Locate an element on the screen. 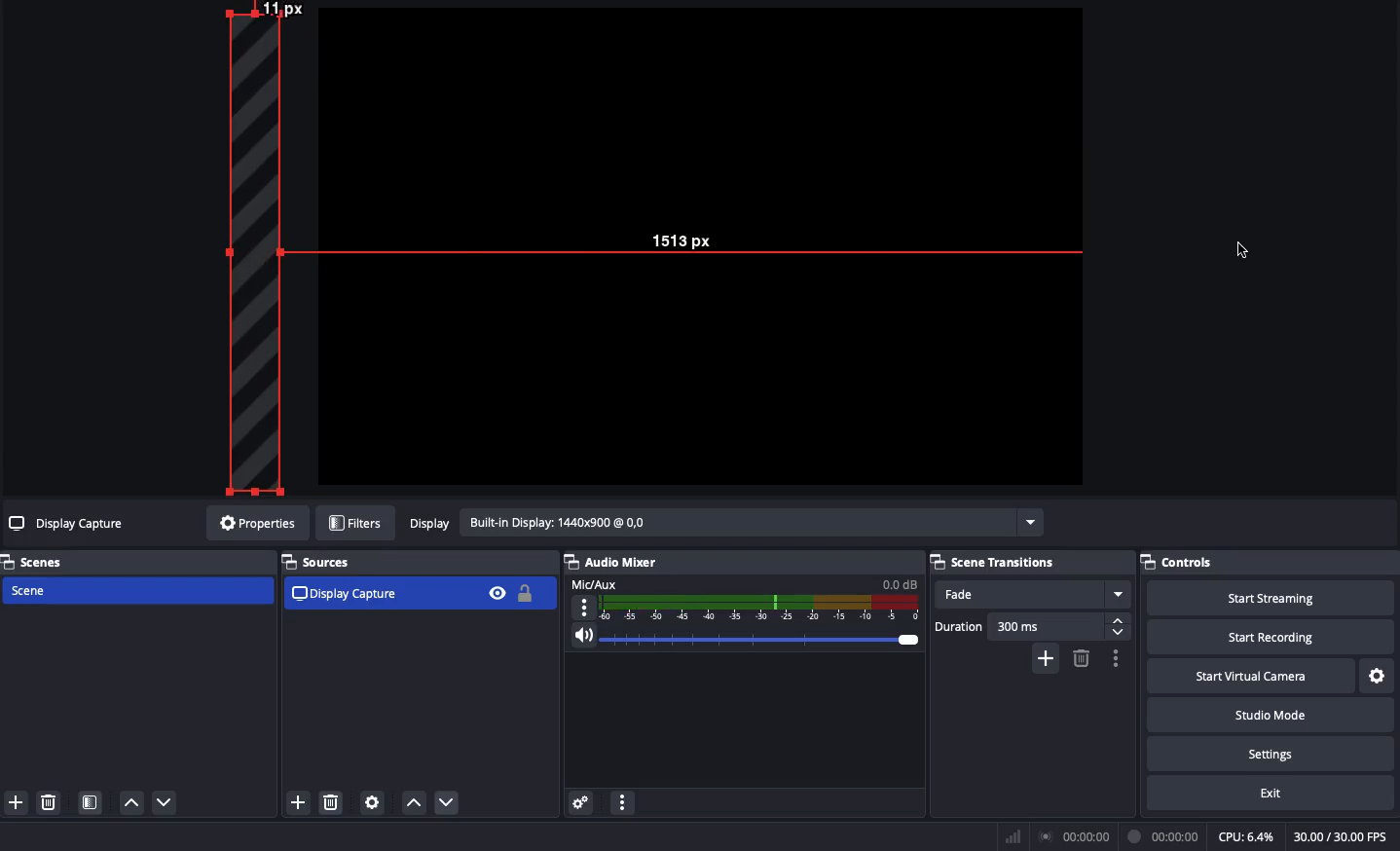 The height and width of the screenshot is (851, 1400). Up is located at coordinates (413, 804).